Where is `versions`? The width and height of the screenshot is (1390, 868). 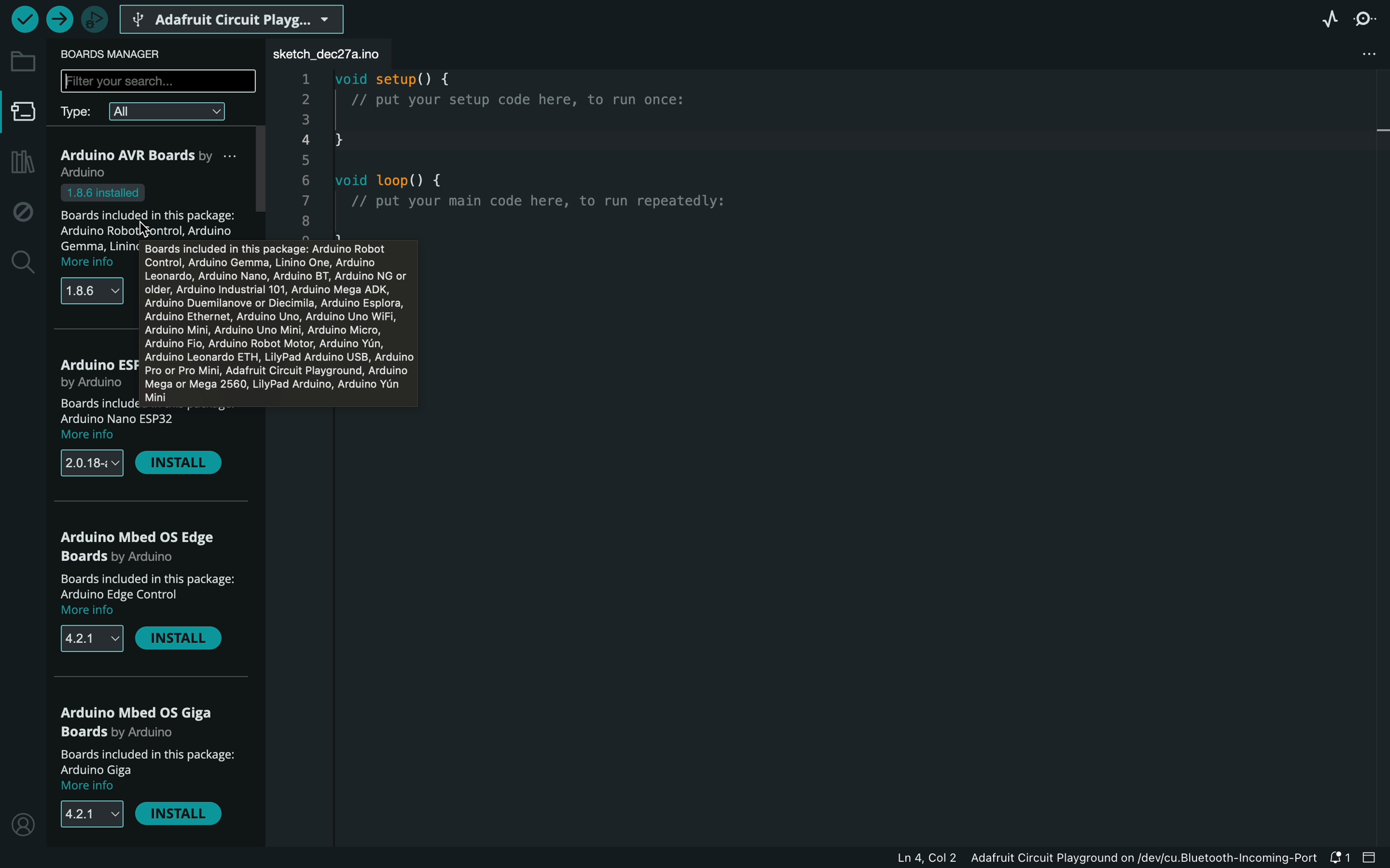
versions is located at coordinates (93, 291).